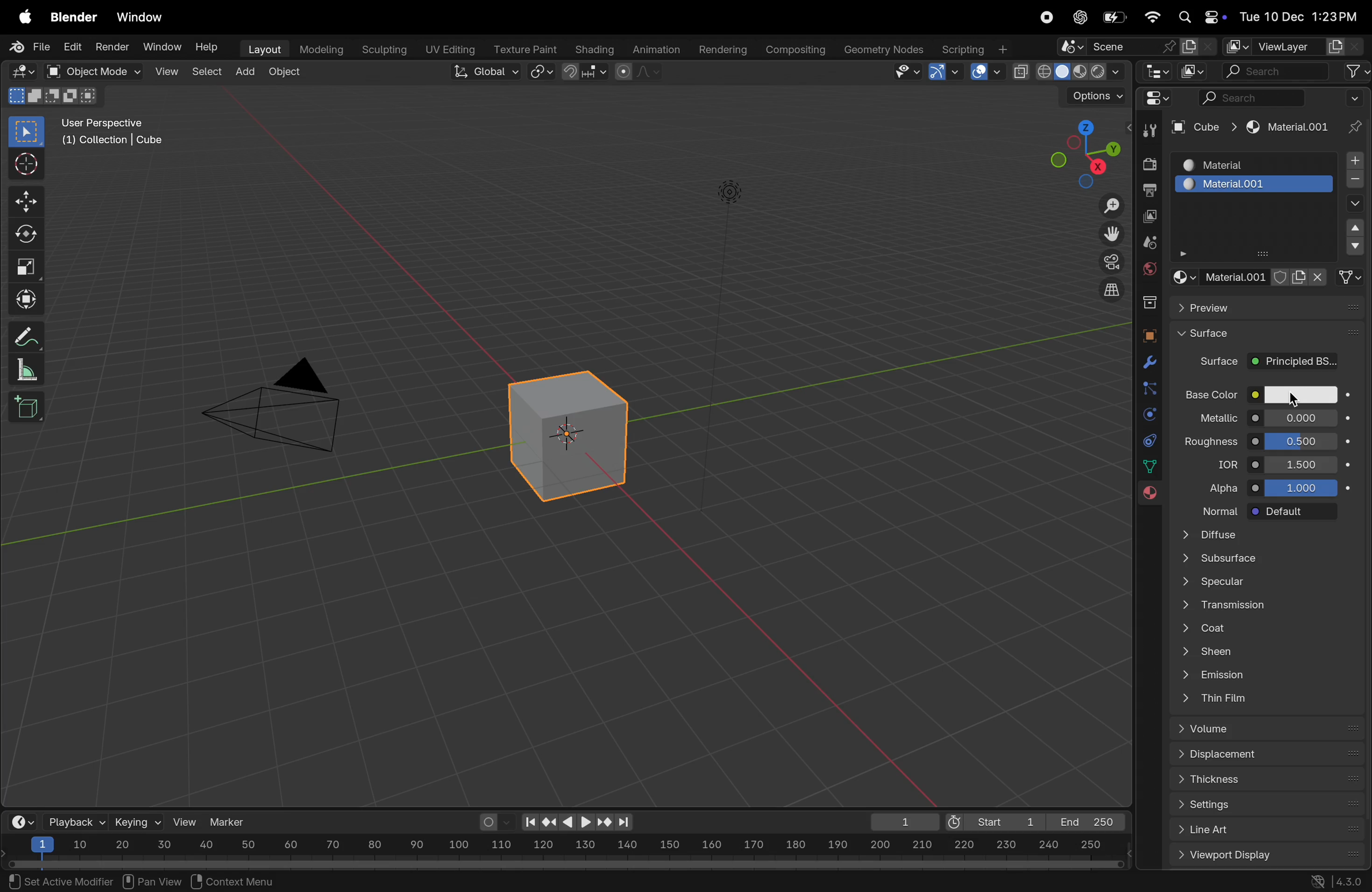  Describe the element at coordinates (1269, 782) in the screenshot. I see `thickness` at that location.